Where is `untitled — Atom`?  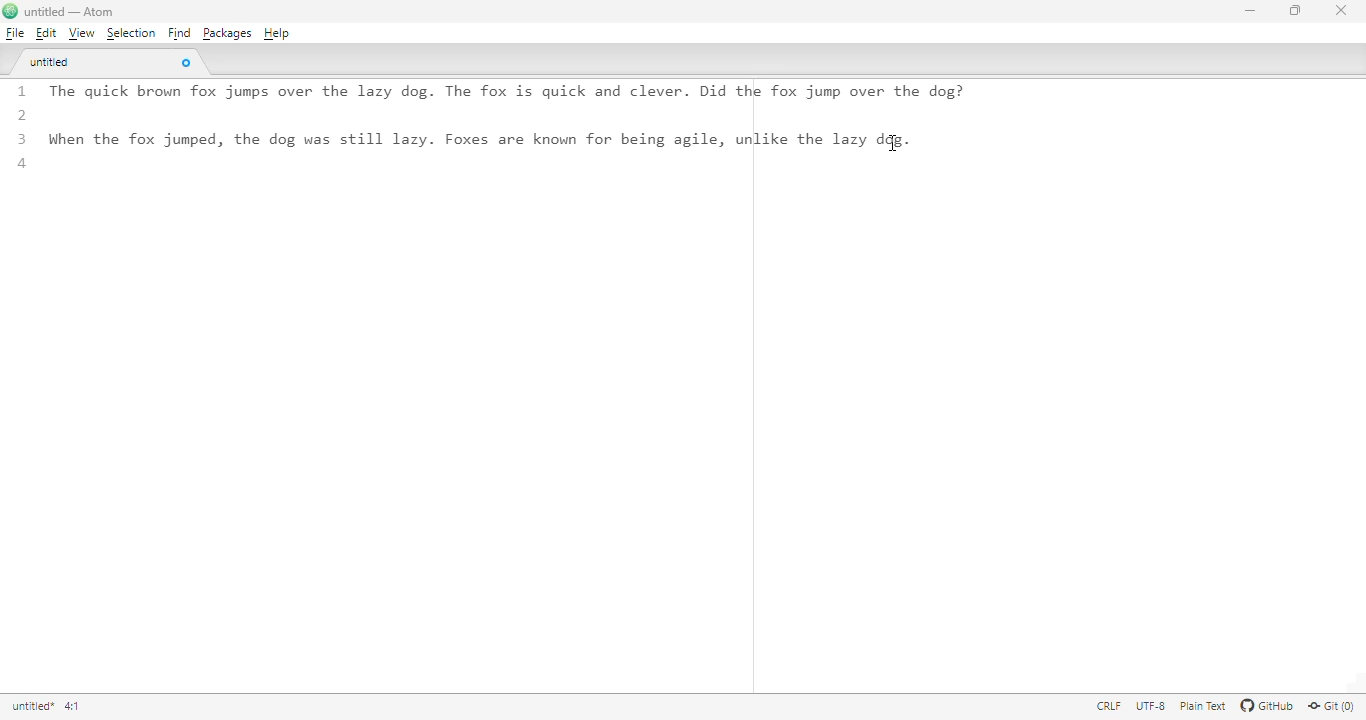
untitled — Atom is located at coordinates (76, 12).